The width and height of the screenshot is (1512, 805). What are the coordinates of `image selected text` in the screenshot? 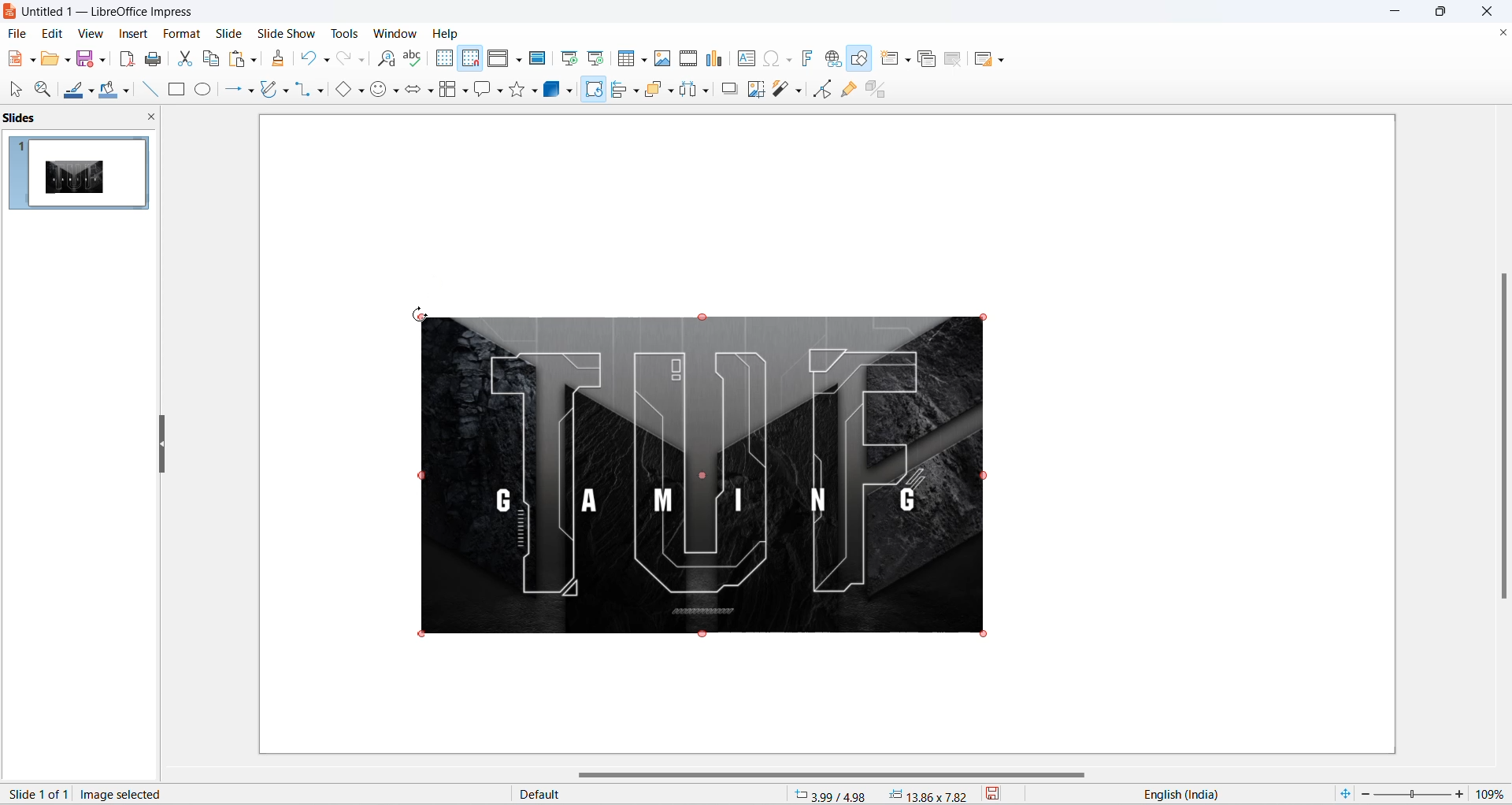 It's located at (124, 793).